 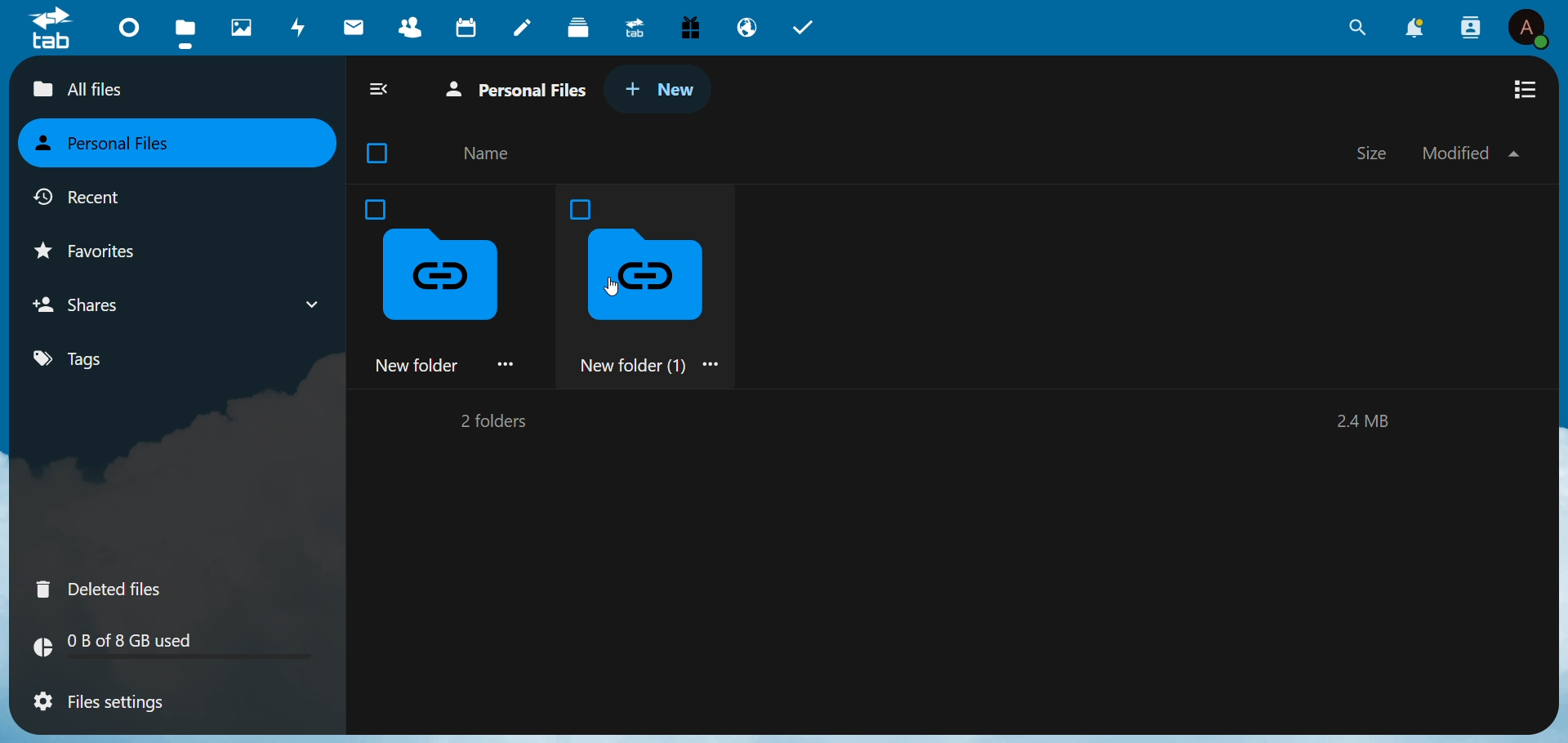 What do you see at coordinates (692, 26) in the screenshot?
I see `free trial` at bounding box center [692, 26].